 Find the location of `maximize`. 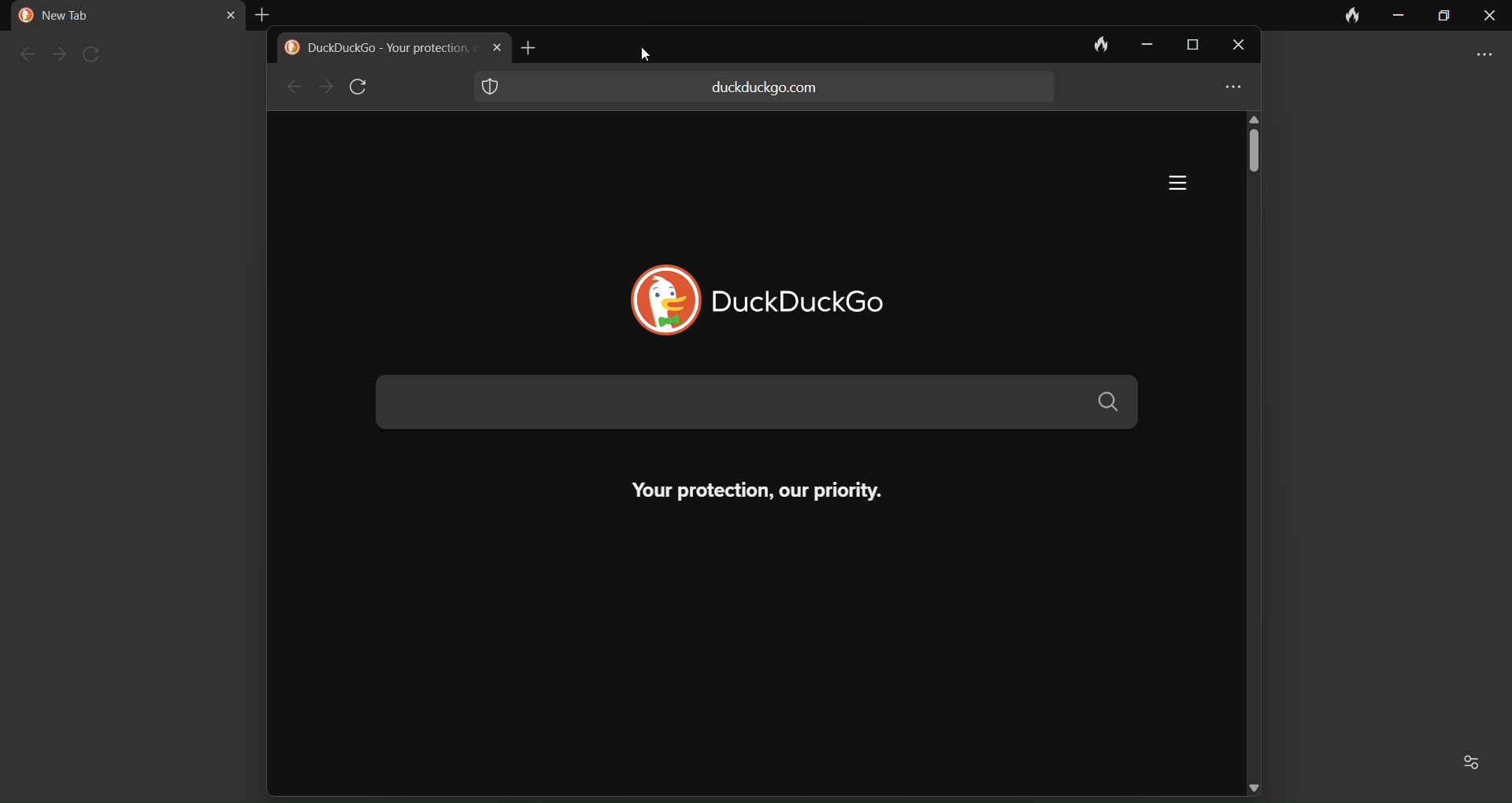

maximize is located at coordinates (1188, 46).